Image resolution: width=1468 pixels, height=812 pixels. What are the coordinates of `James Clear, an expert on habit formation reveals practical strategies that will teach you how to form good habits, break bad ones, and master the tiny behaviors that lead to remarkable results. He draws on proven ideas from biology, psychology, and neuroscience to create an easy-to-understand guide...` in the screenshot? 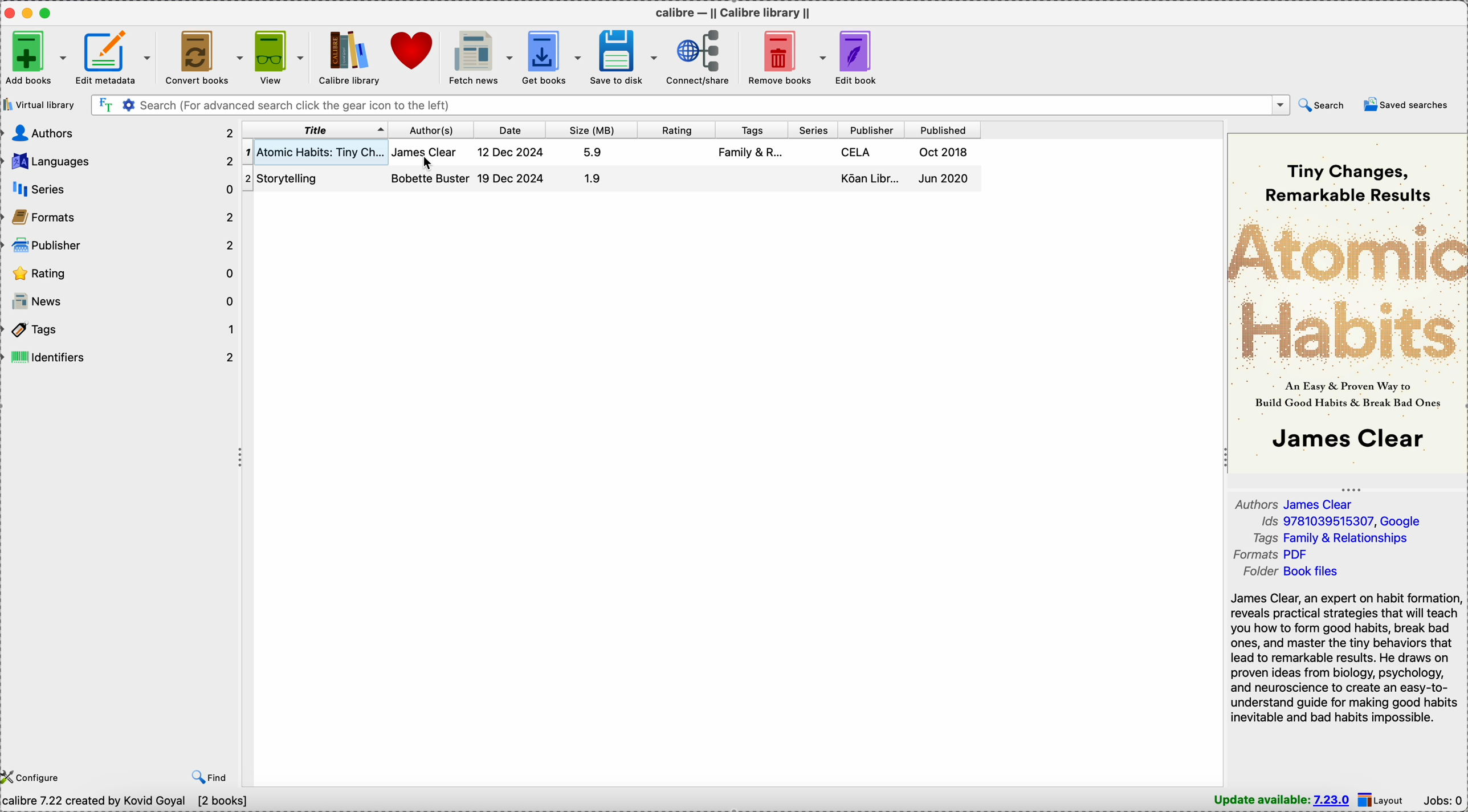 It's located at (1346, 659).